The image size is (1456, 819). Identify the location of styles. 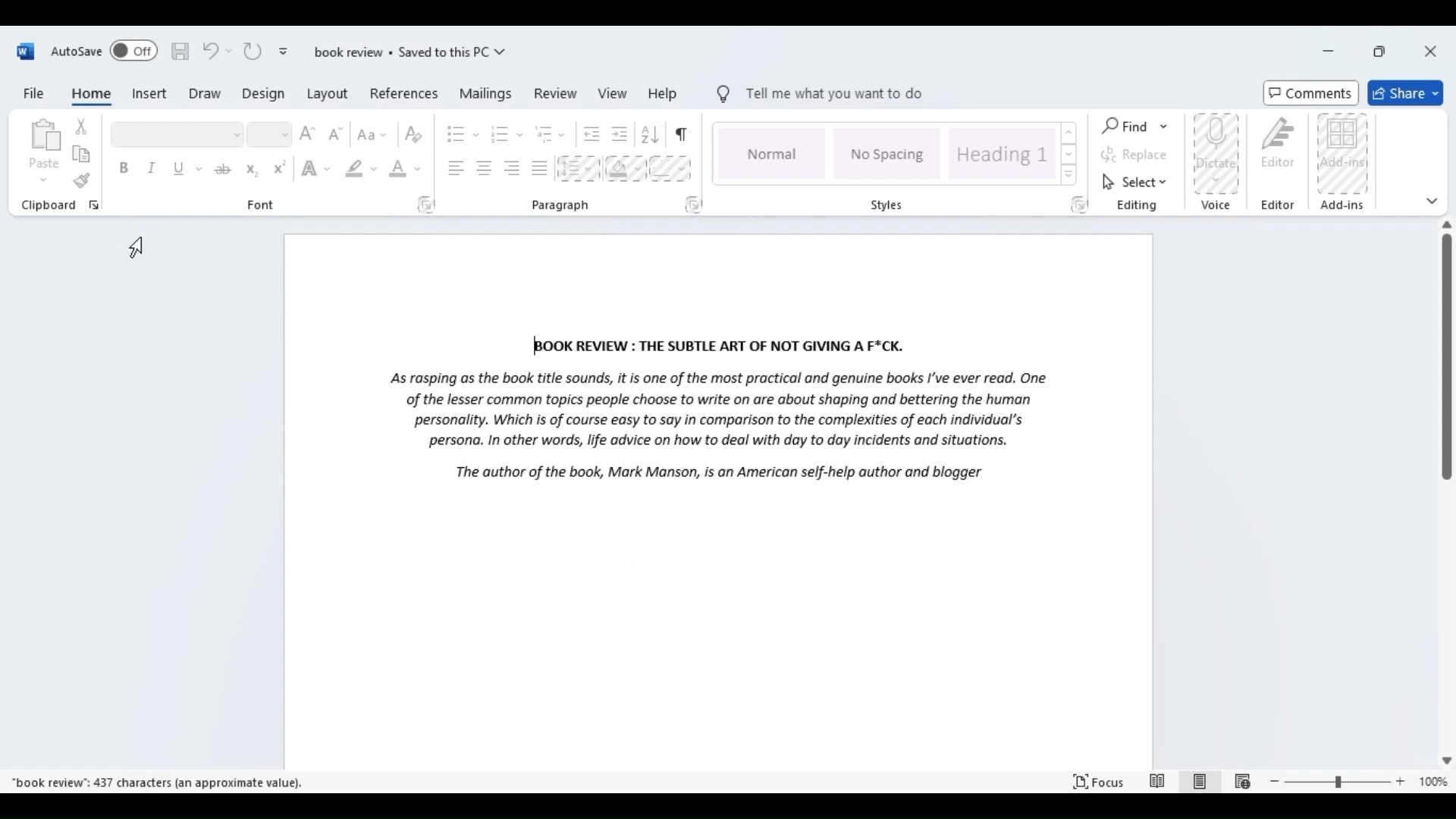
(899, 165).